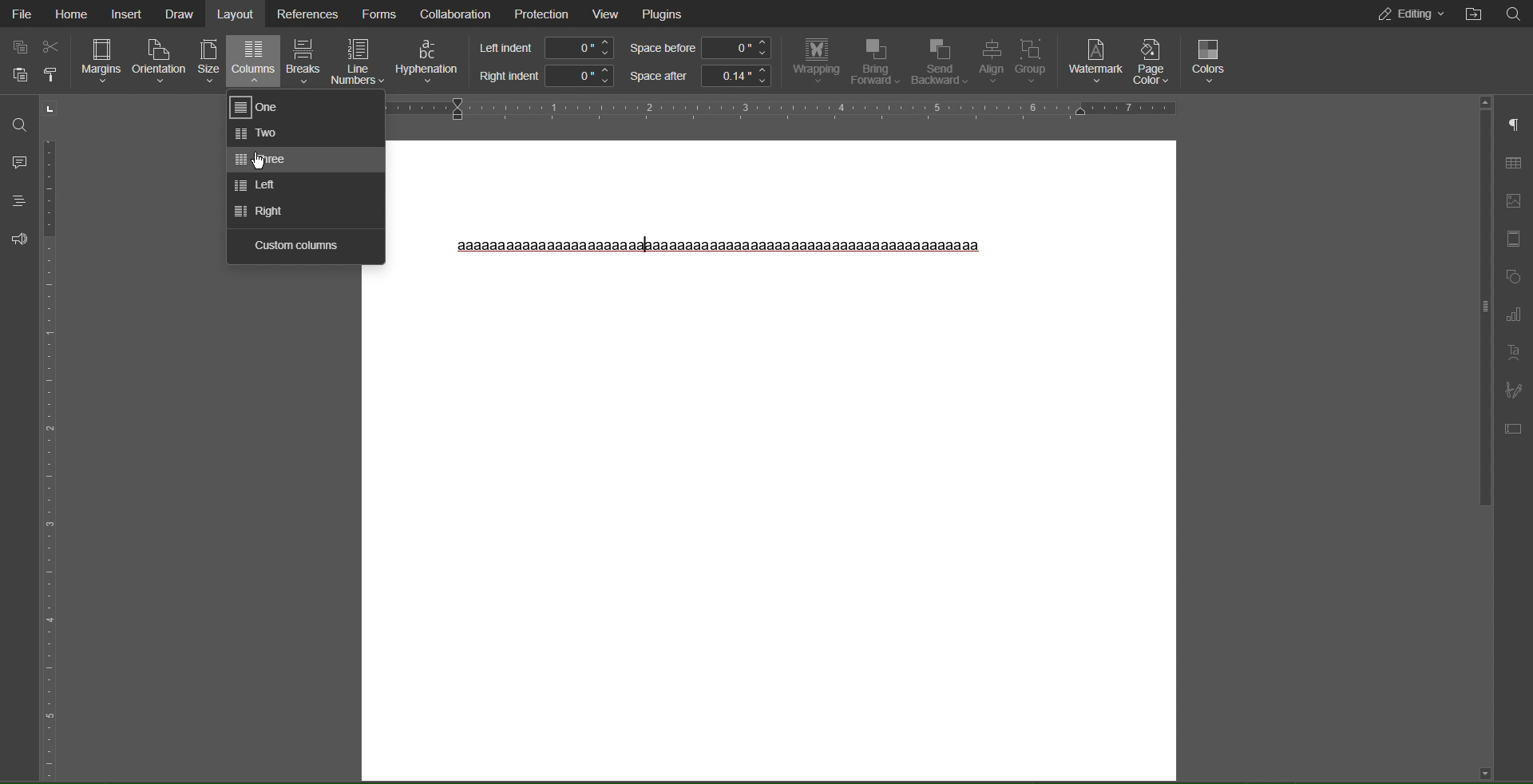 This screenshot has width=1533, height=784. Describe the element at coordinates (607, 14) in the screenshot. I see `View` at that location.